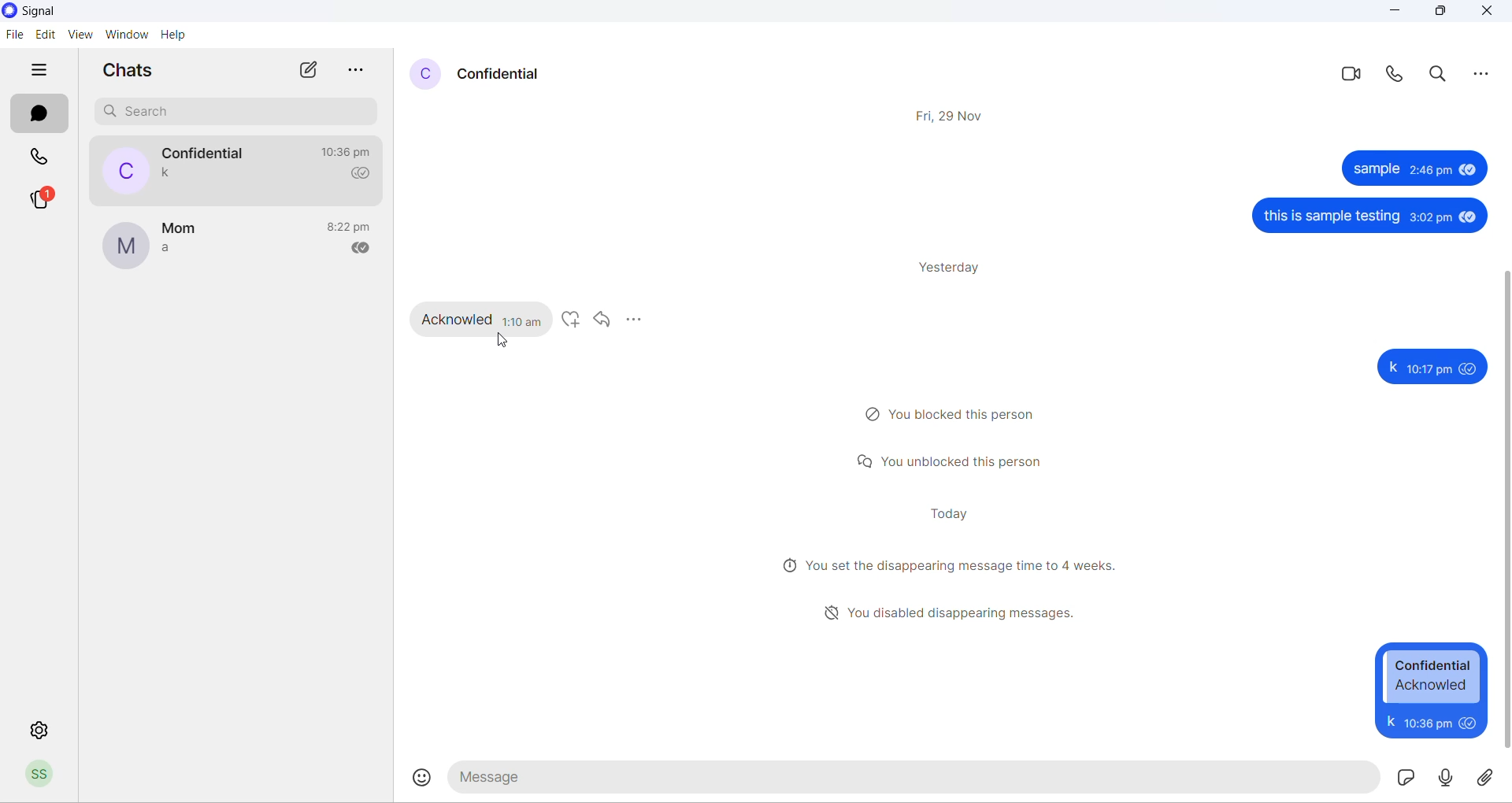 Image resolution: width=1512 pixels, height=803 pixels. What do you see at coordinates (1429, 170) in the screenshot?
I see `2:46 pm` at bounding box center [1429, 170].